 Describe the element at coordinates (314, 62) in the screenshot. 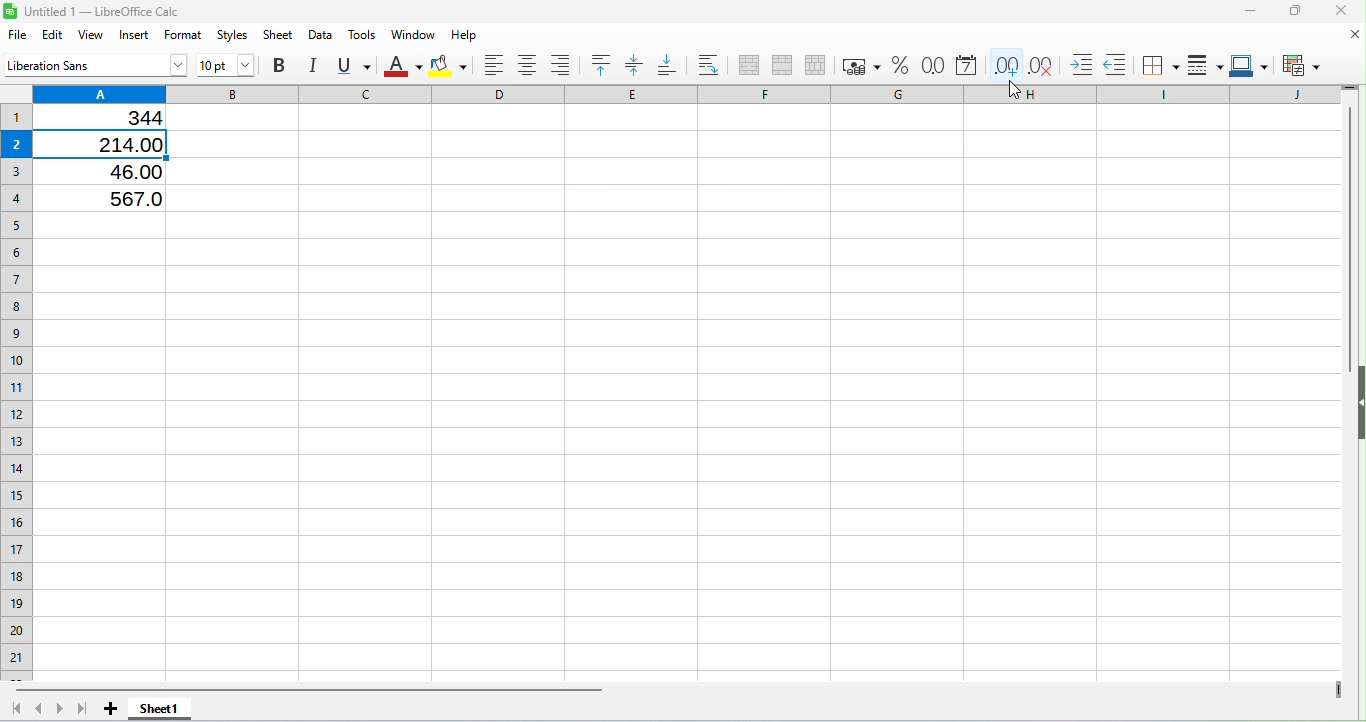

I see `Italics` at that location.